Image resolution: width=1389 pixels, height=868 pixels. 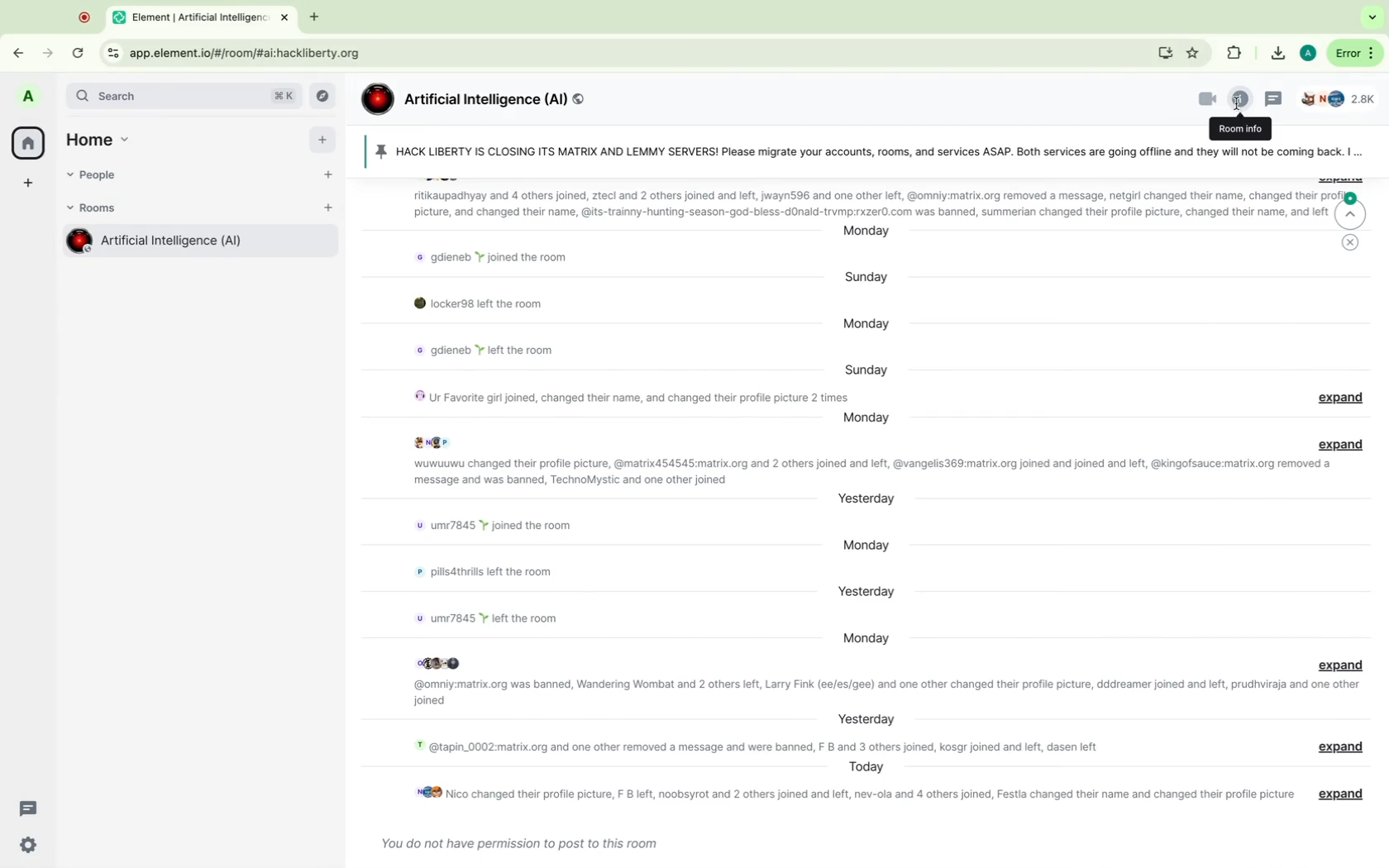 What do you see at coordinates (1344, 746) in the screenshot?
I see `expand` at bounding box center [1344, 746].